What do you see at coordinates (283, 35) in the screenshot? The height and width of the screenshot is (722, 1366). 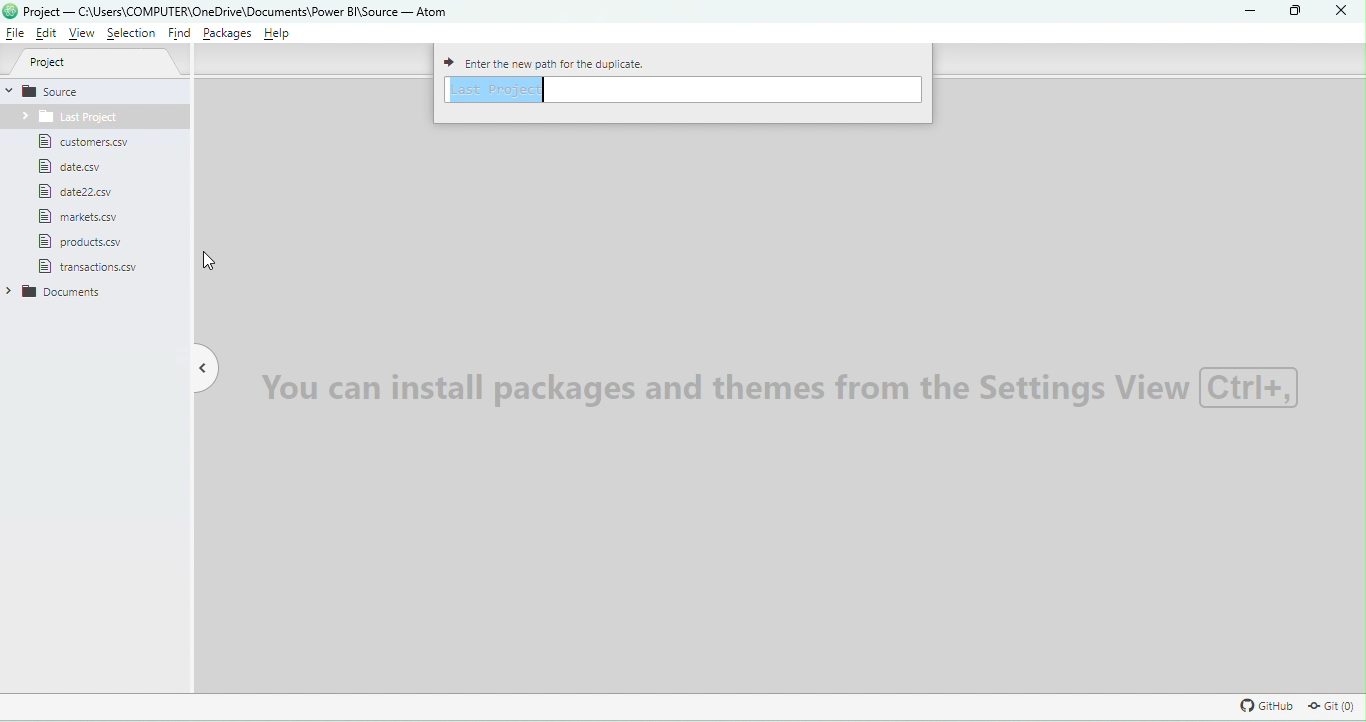 I see `Help` at bounding box center [283, 35].